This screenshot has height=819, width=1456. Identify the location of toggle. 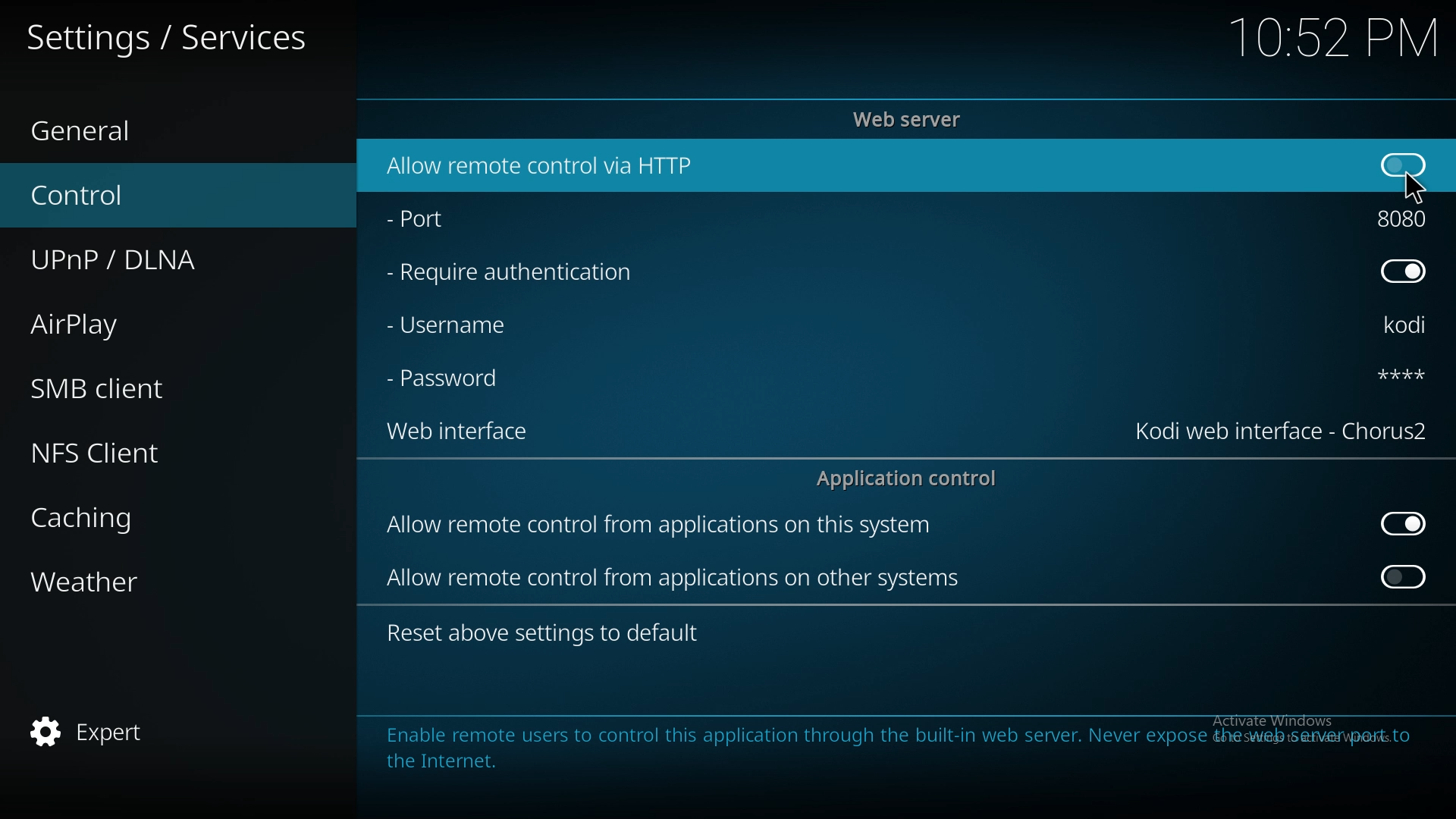
(1401, 165).